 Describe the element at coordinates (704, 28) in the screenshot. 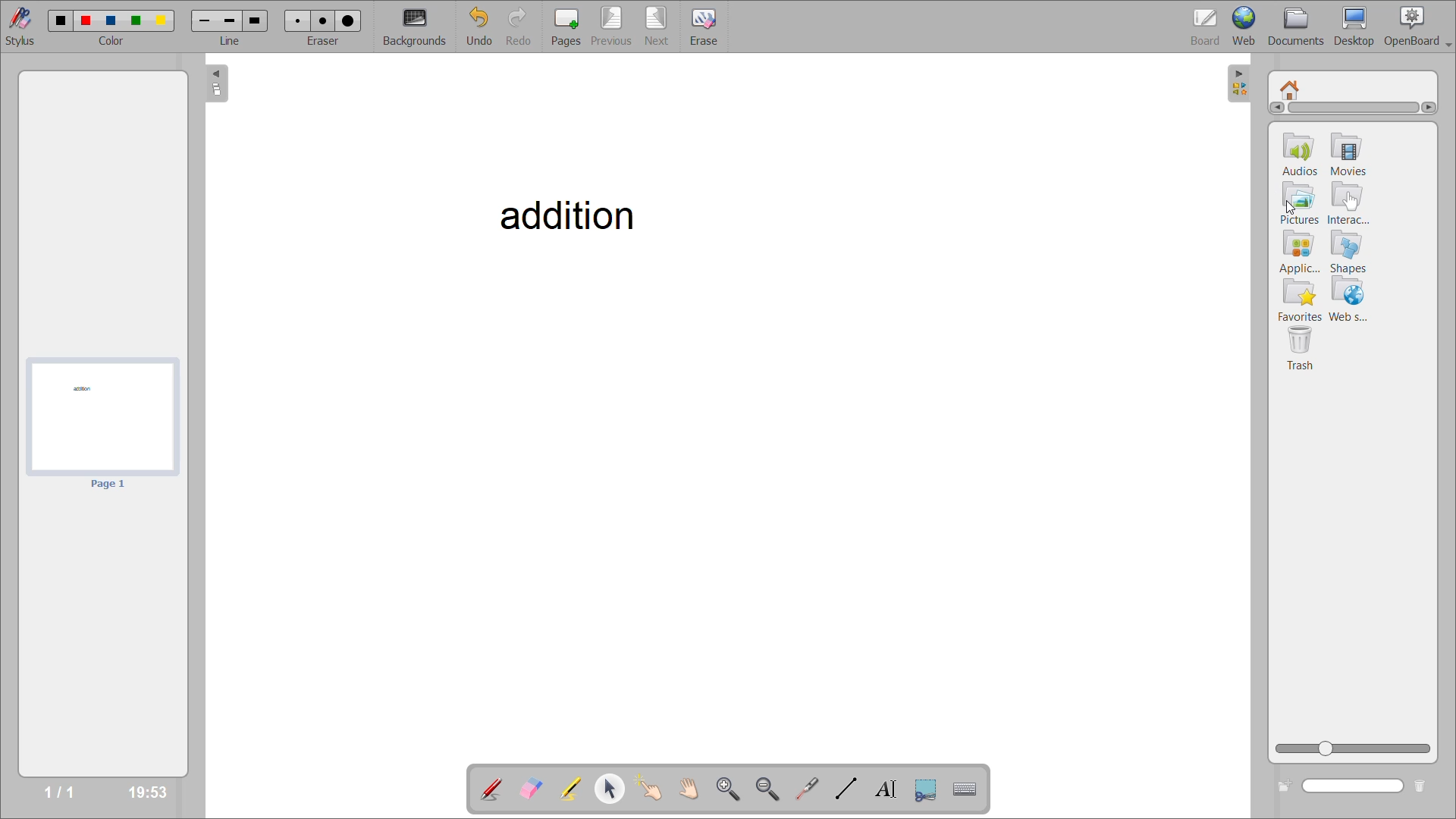

I see `erase` at that location.